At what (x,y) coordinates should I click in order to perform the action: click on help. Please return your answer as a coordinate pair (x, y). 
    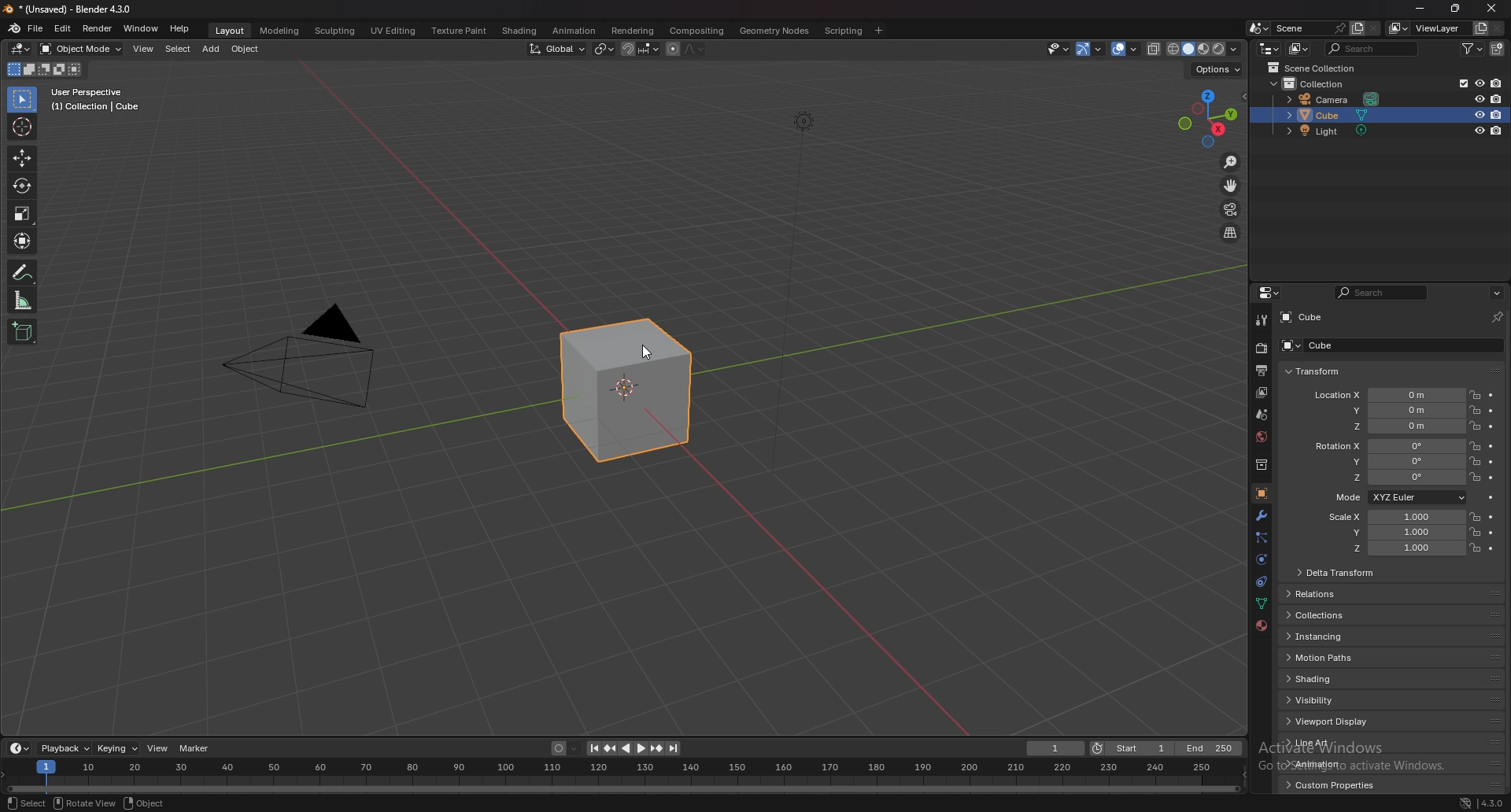
    Looking at the image, I should click on (180, 28).